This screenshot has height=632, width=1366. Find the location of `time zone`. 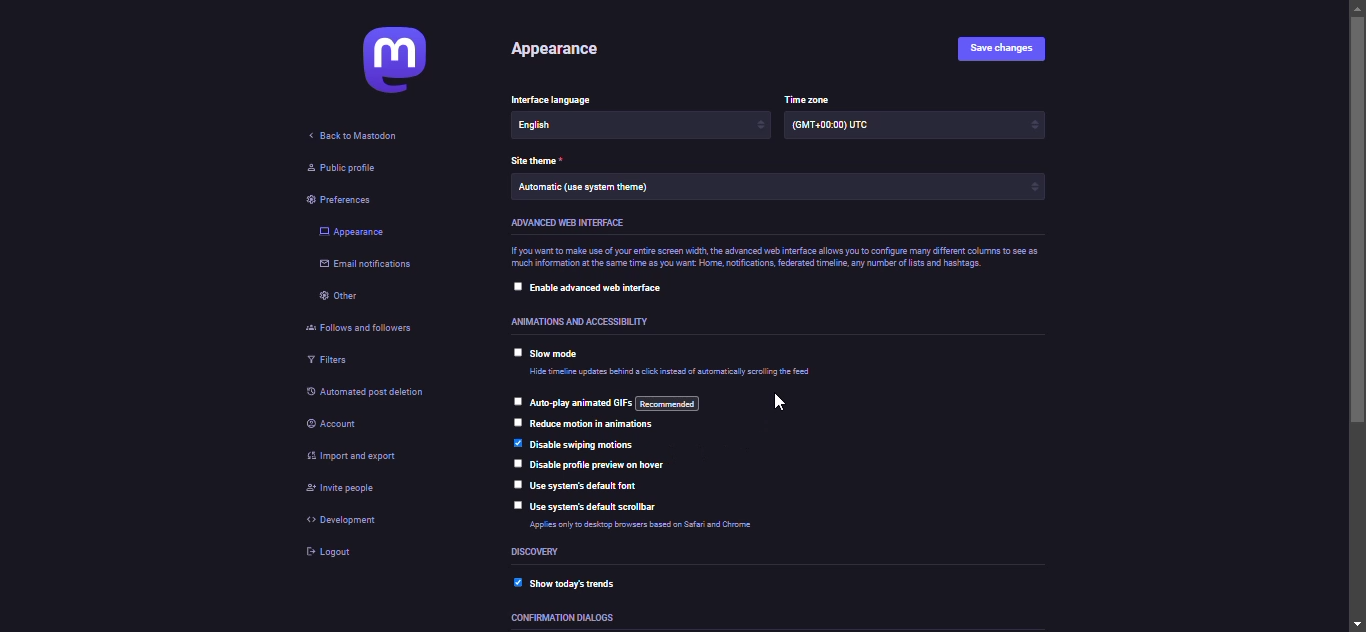

time zone is located at coordinates (847, 125).